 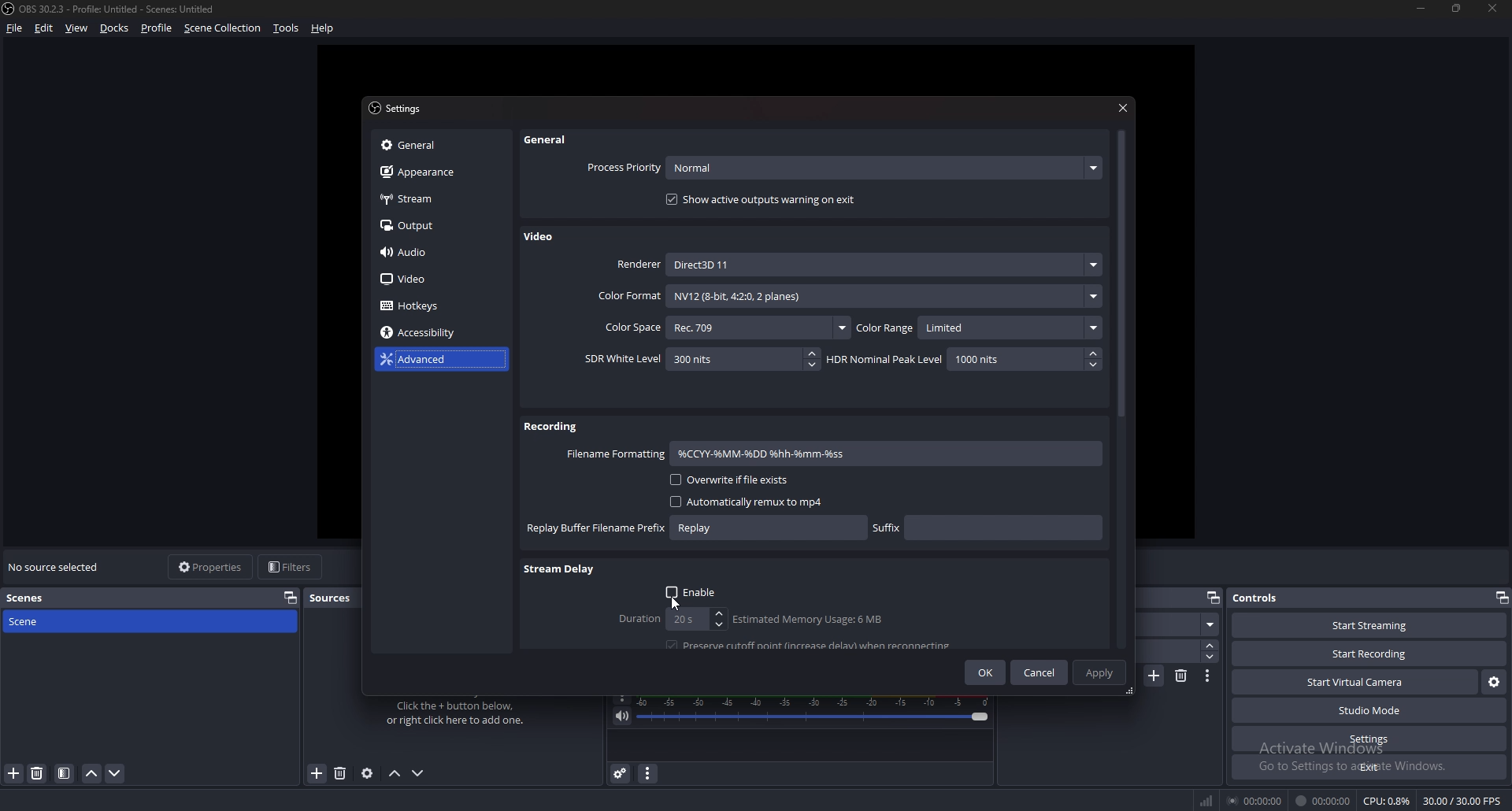 I want to click on scenes, so click(x=31, y=598).